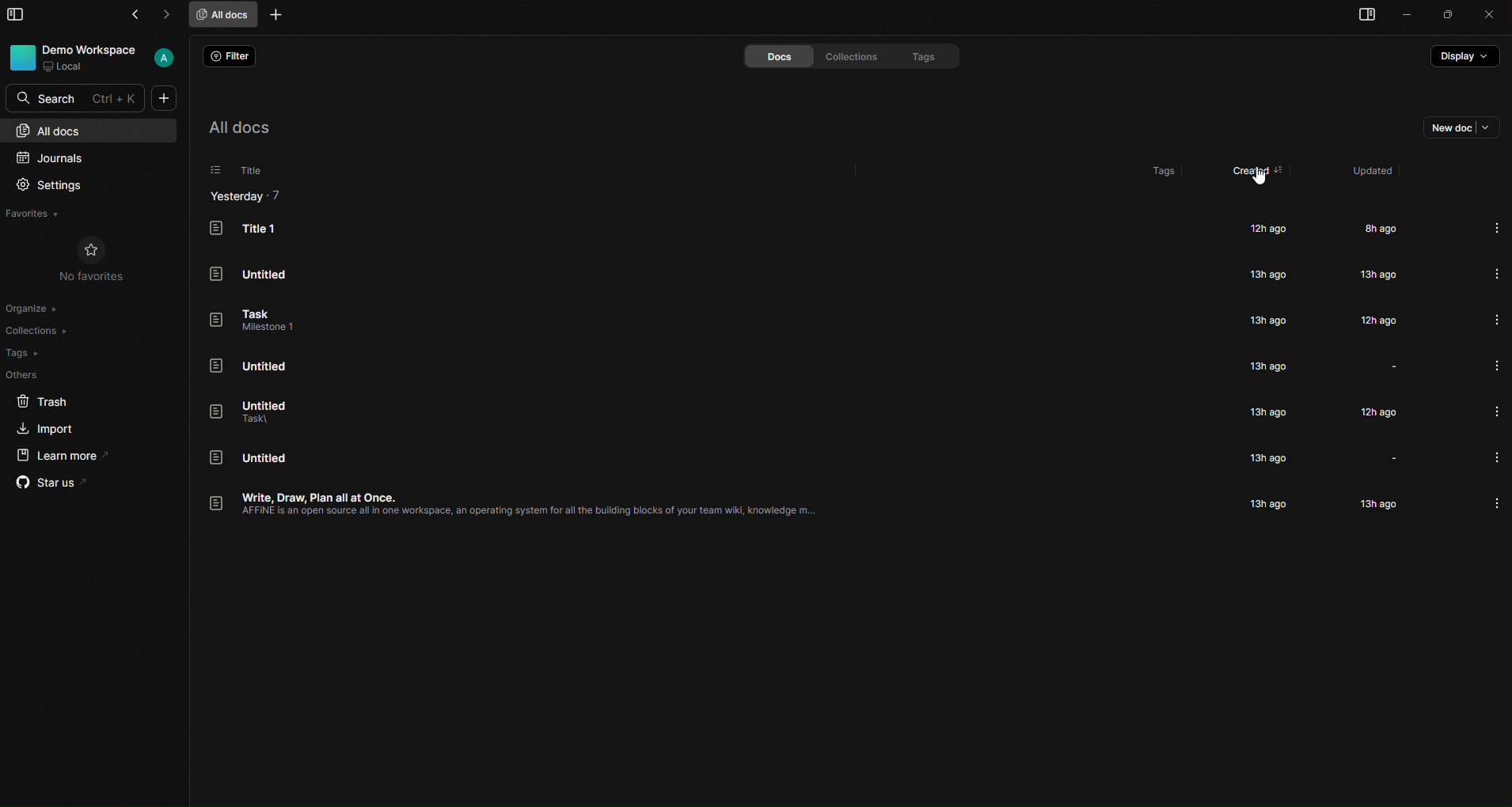  What do you see at coordinates (33, 311) in the screenshot?
I see `organize` at bounding box center [33, 311].